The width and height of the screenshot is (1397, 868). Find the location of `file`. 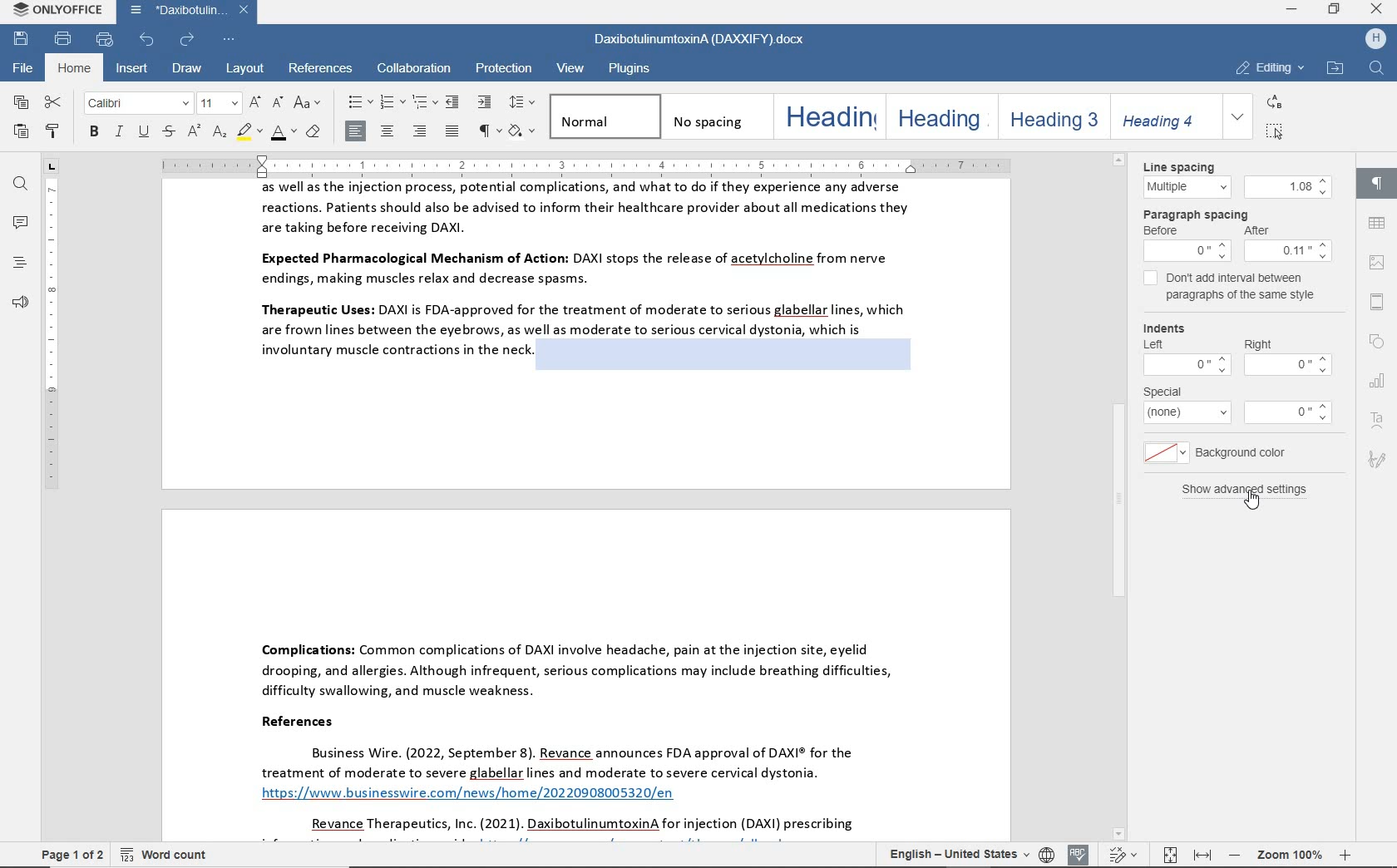

file is located at coordinates (24, 68).